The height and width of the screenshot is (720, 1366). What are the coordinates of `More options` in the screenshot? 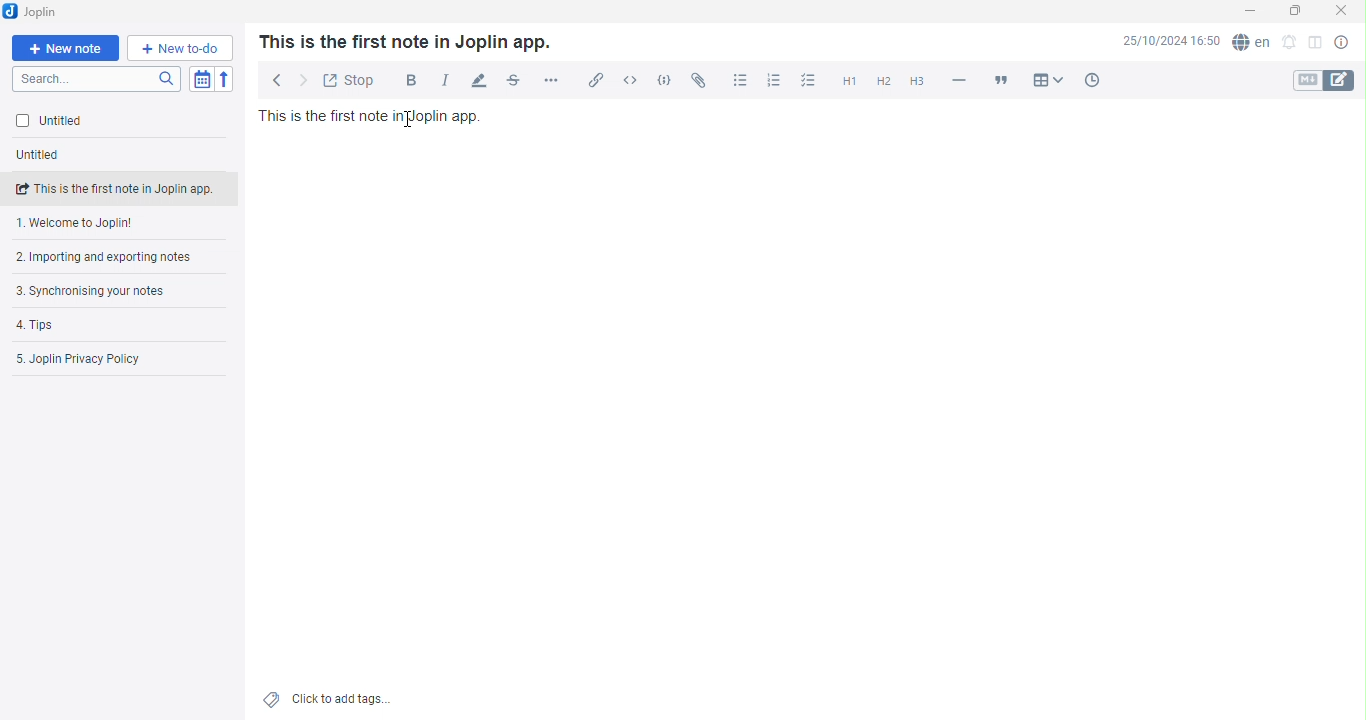 It's located at (554, 79).